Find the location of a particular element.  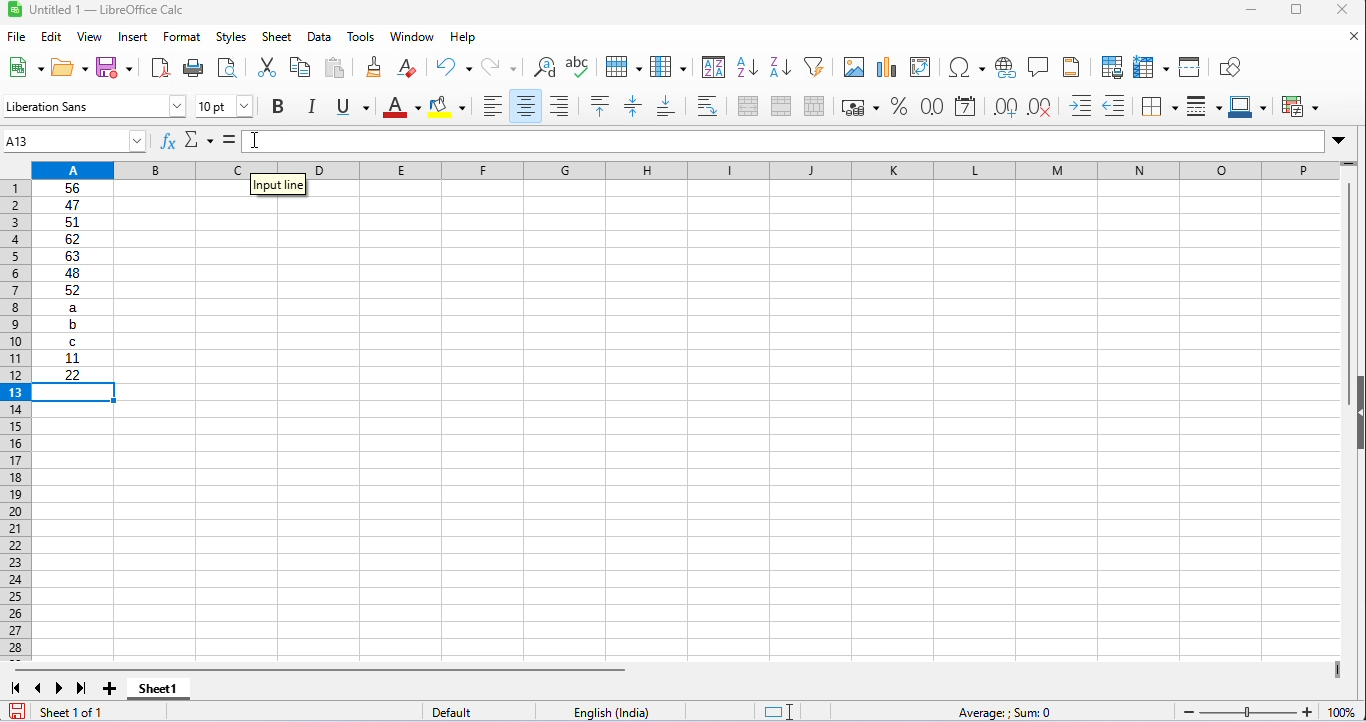

Untitled 1 — LibreOffice Calc is located at coordinates (107, 10).